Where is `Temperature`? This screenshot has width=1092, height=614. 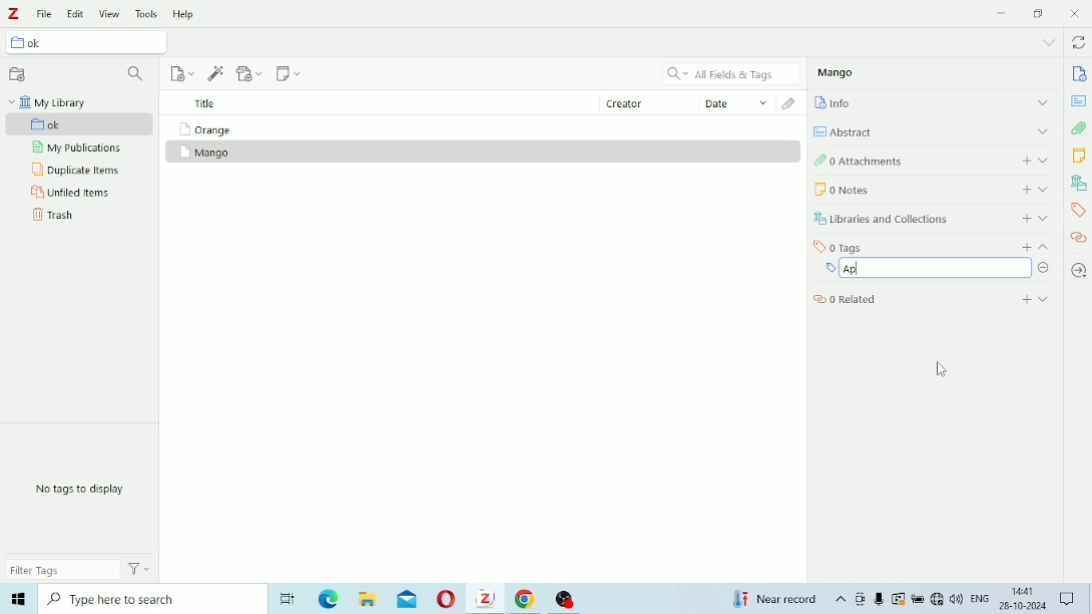
Temperature is located at coordinates (776, 599).